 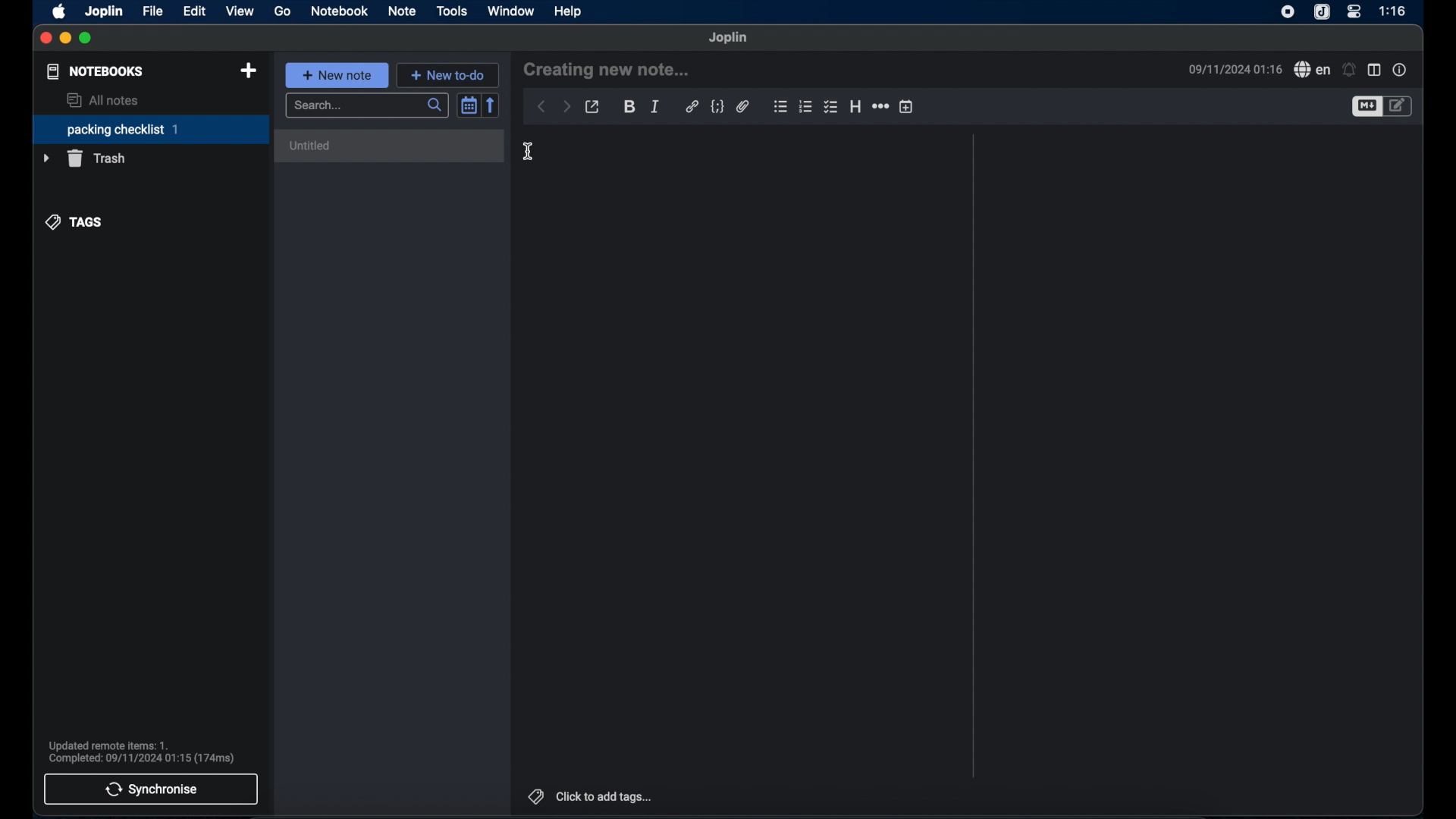 I want to click on synchronise, so click(x=150, y=789).